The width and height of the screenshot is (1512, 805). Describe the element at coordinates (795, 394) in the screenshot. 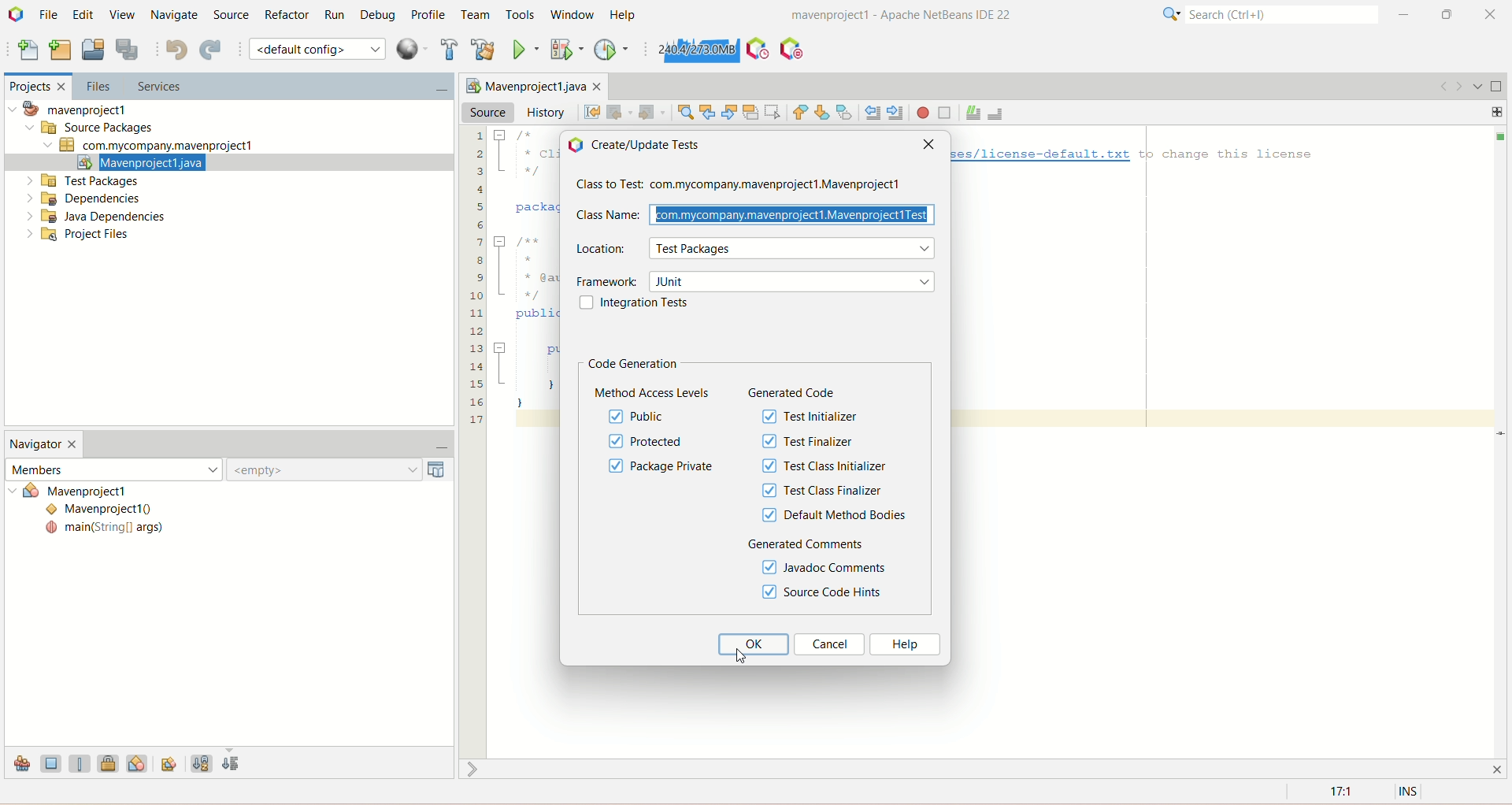

I see `generated code` at that location.